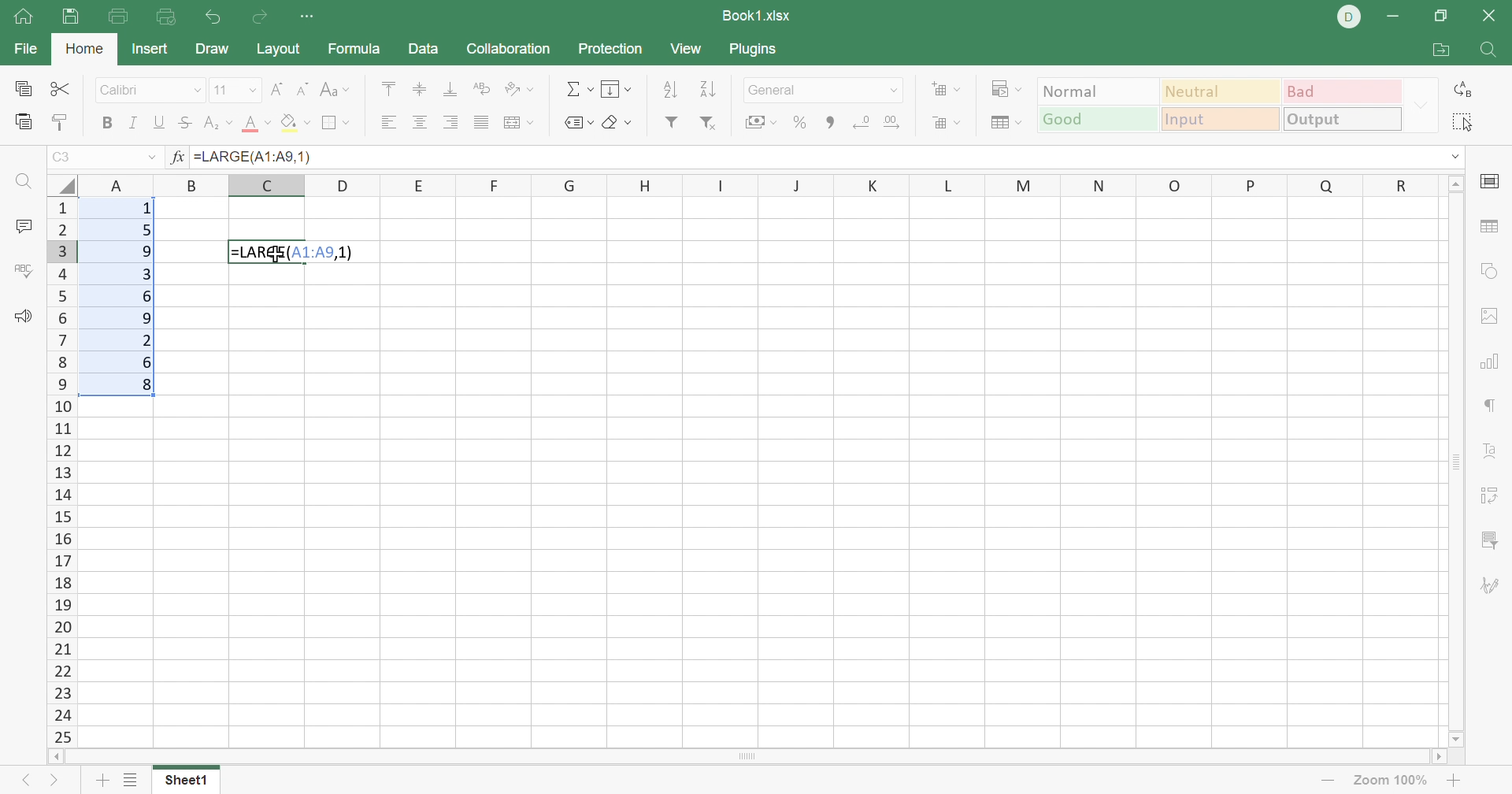 This screenshot has height=794, width=1512. Describe the element at coordinates (1097, 119) in the screenshot. I see `Good` at that location.